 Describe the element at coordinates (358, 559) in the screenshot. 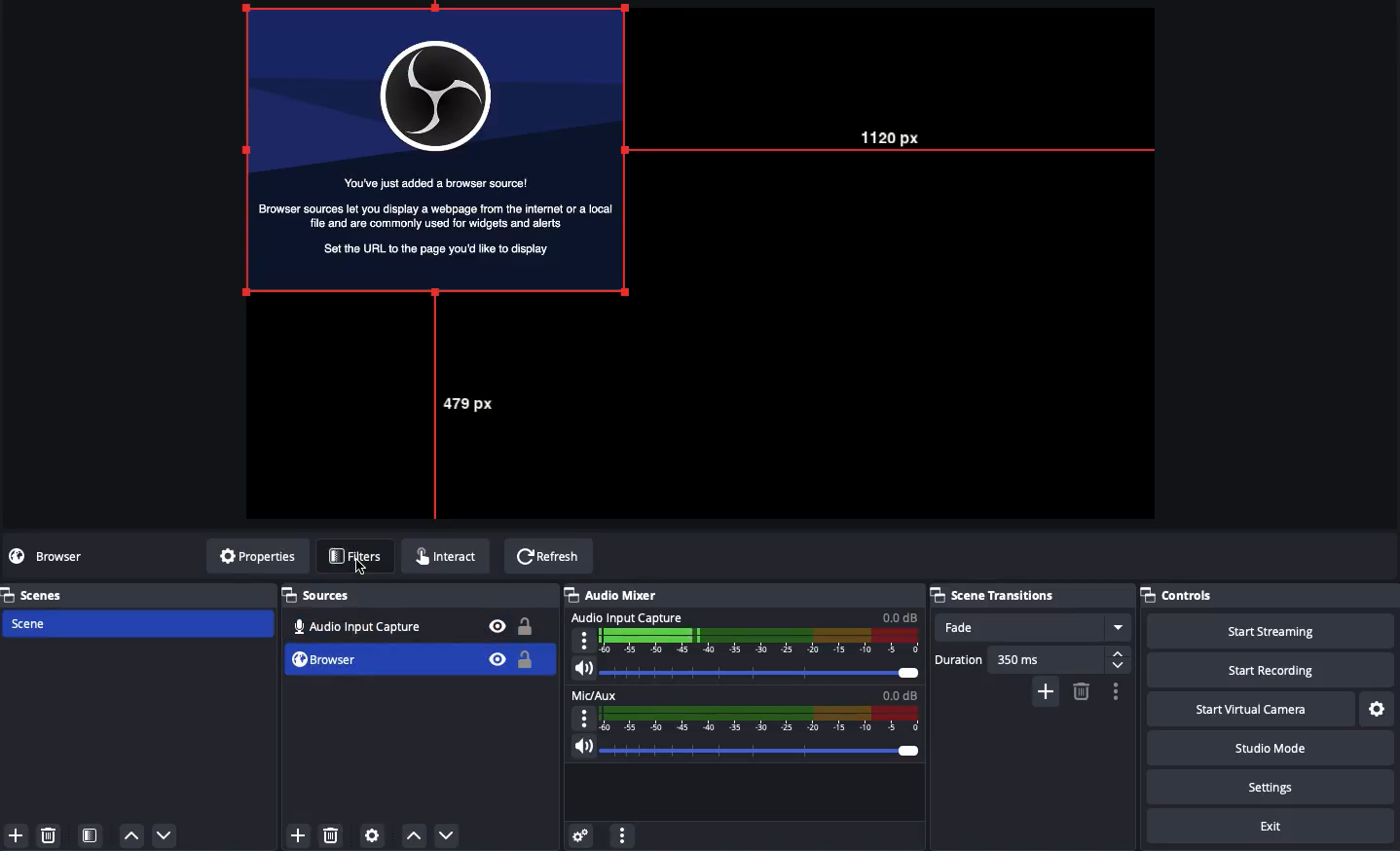

I see `Filters click` at that location.